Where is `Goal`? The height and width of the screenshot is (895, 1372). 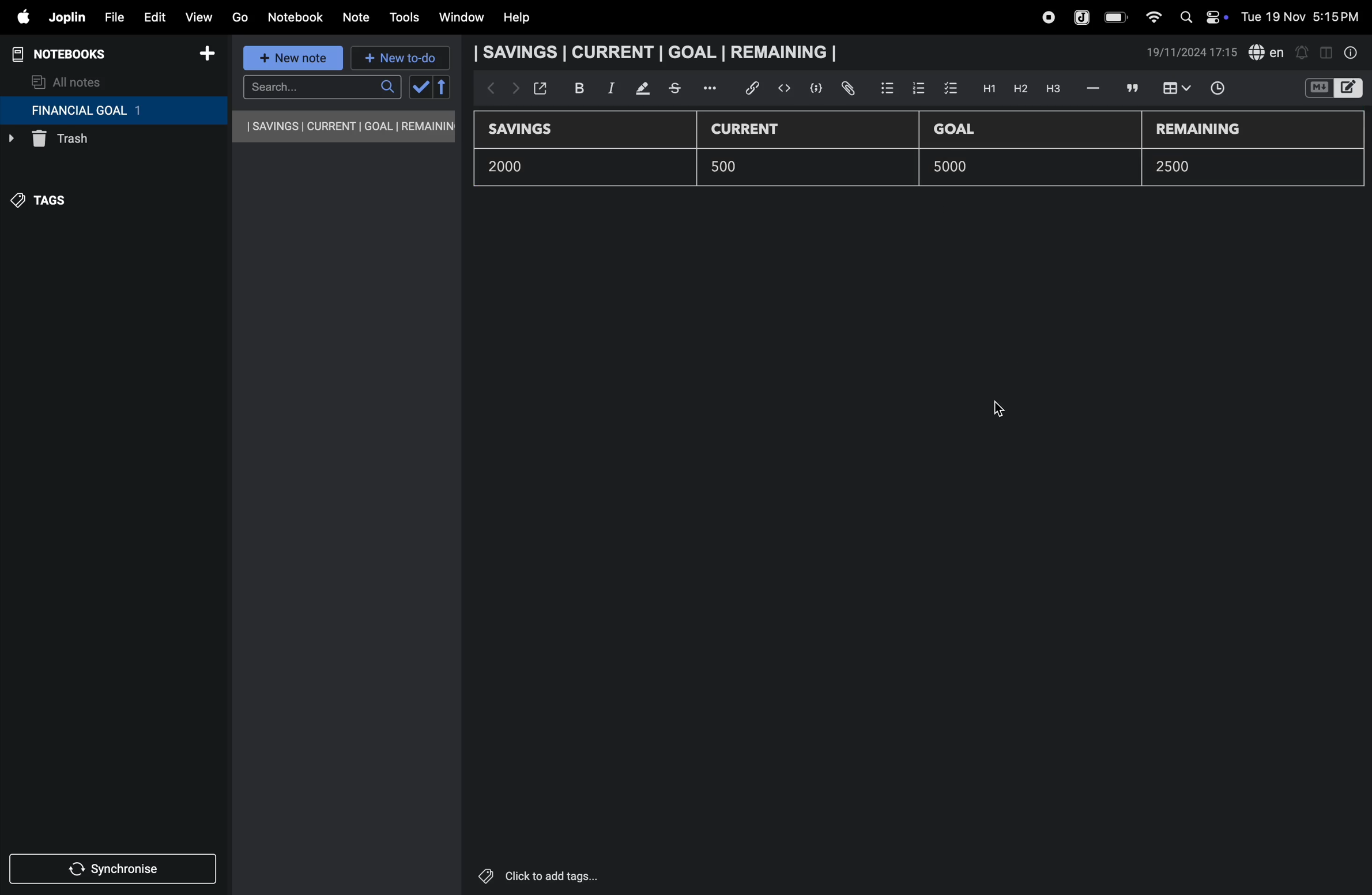
Goal is located at coordinates (962, 130).